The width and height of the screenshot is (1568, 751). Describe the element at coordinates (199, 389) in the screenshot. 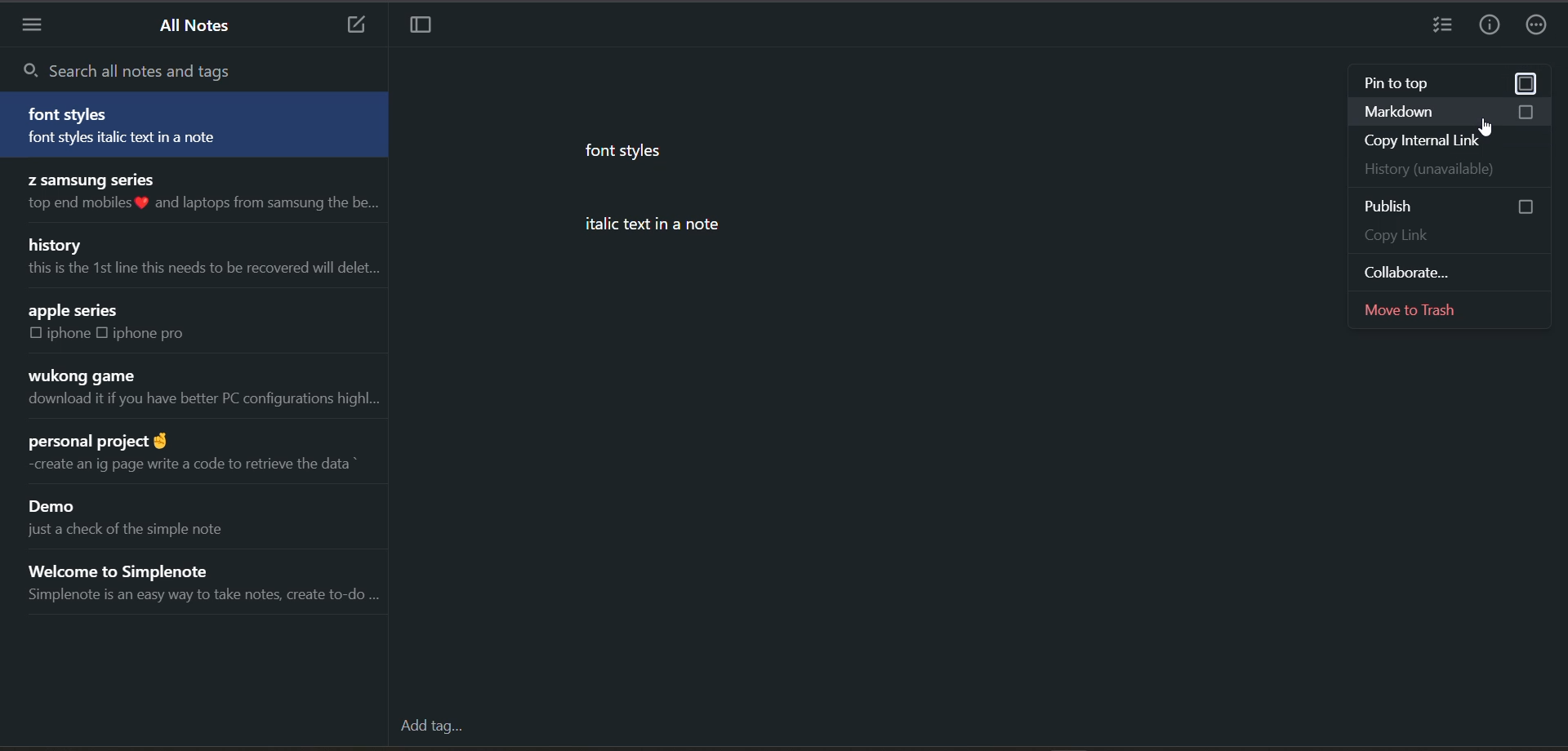

I see `note title and preview` at that location.